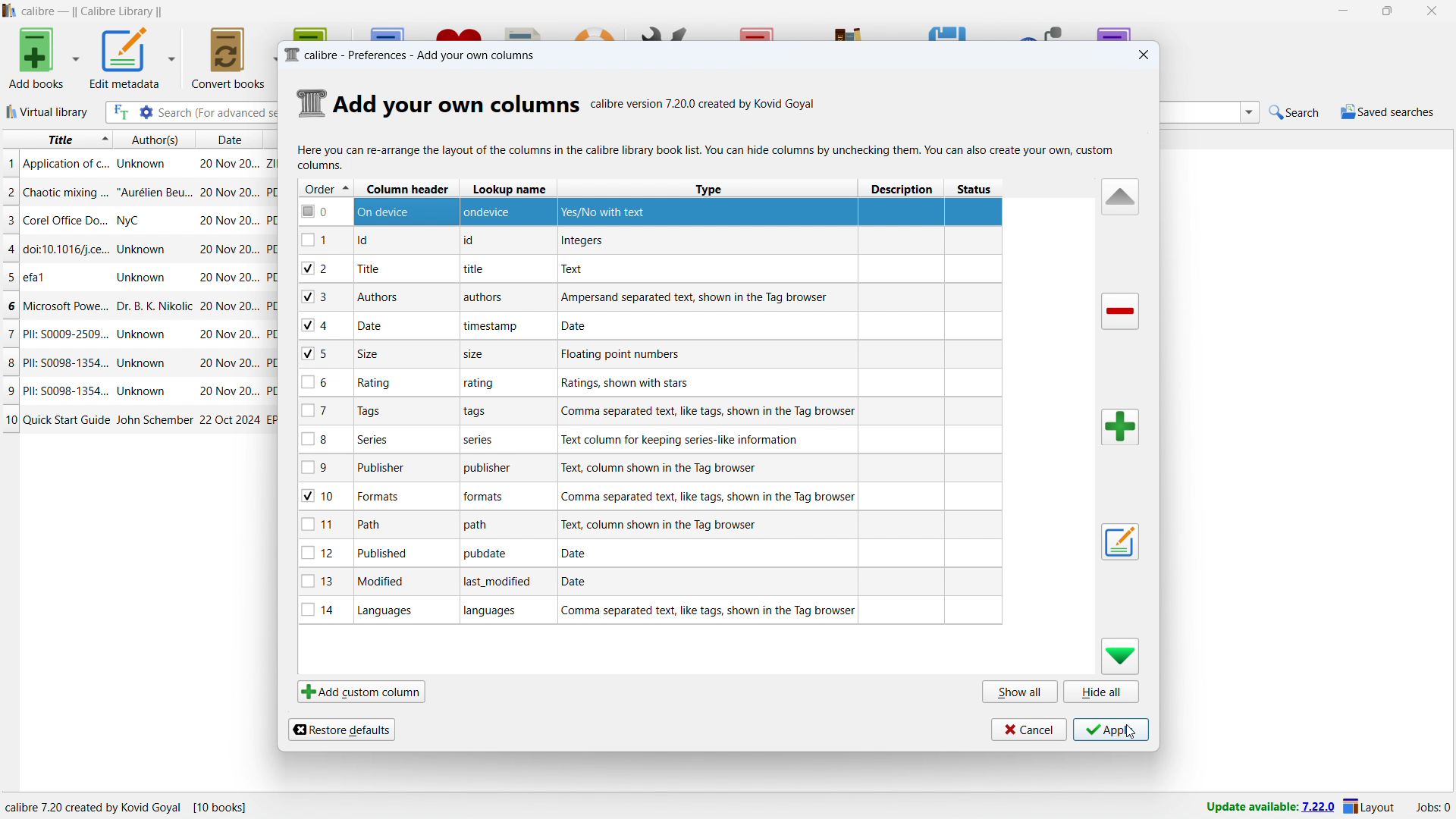 The image size is (1456, 819). What do you see at coordinates (360, 692) in the screenshot?
I see `add custom column` at bounding box center [360, 692].